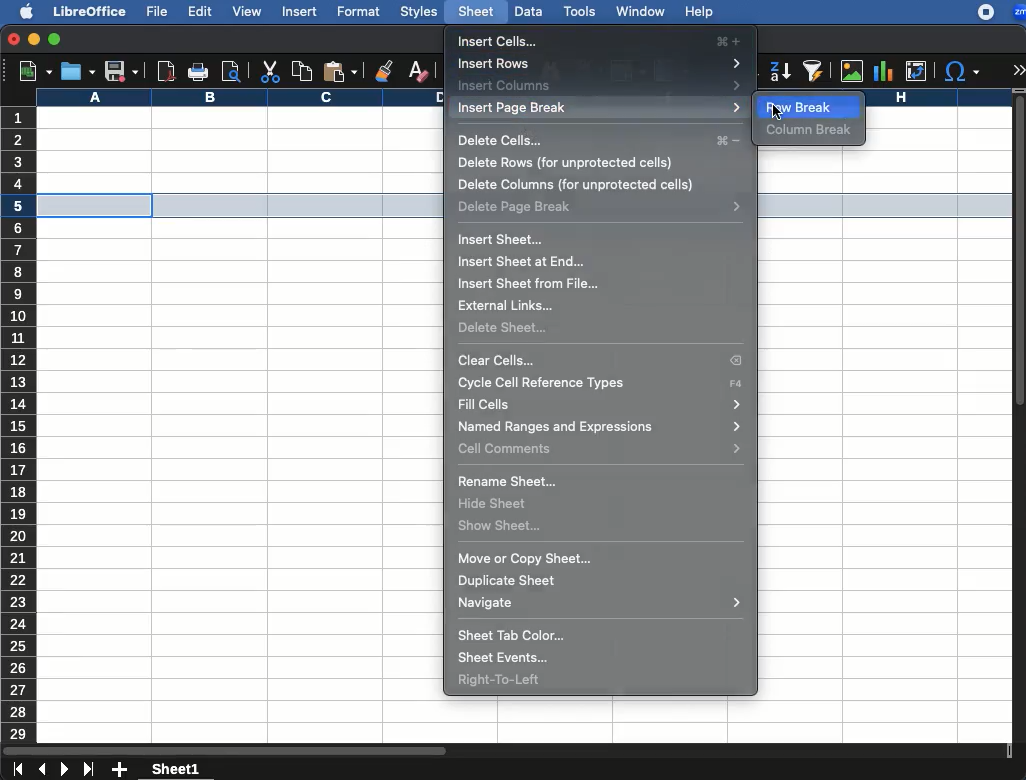 The width and height of the screenshot is (1026, 780). What do you see at coordinates (852, 71) in the screenshot?
I see `image` at bounding box center [852, 71].